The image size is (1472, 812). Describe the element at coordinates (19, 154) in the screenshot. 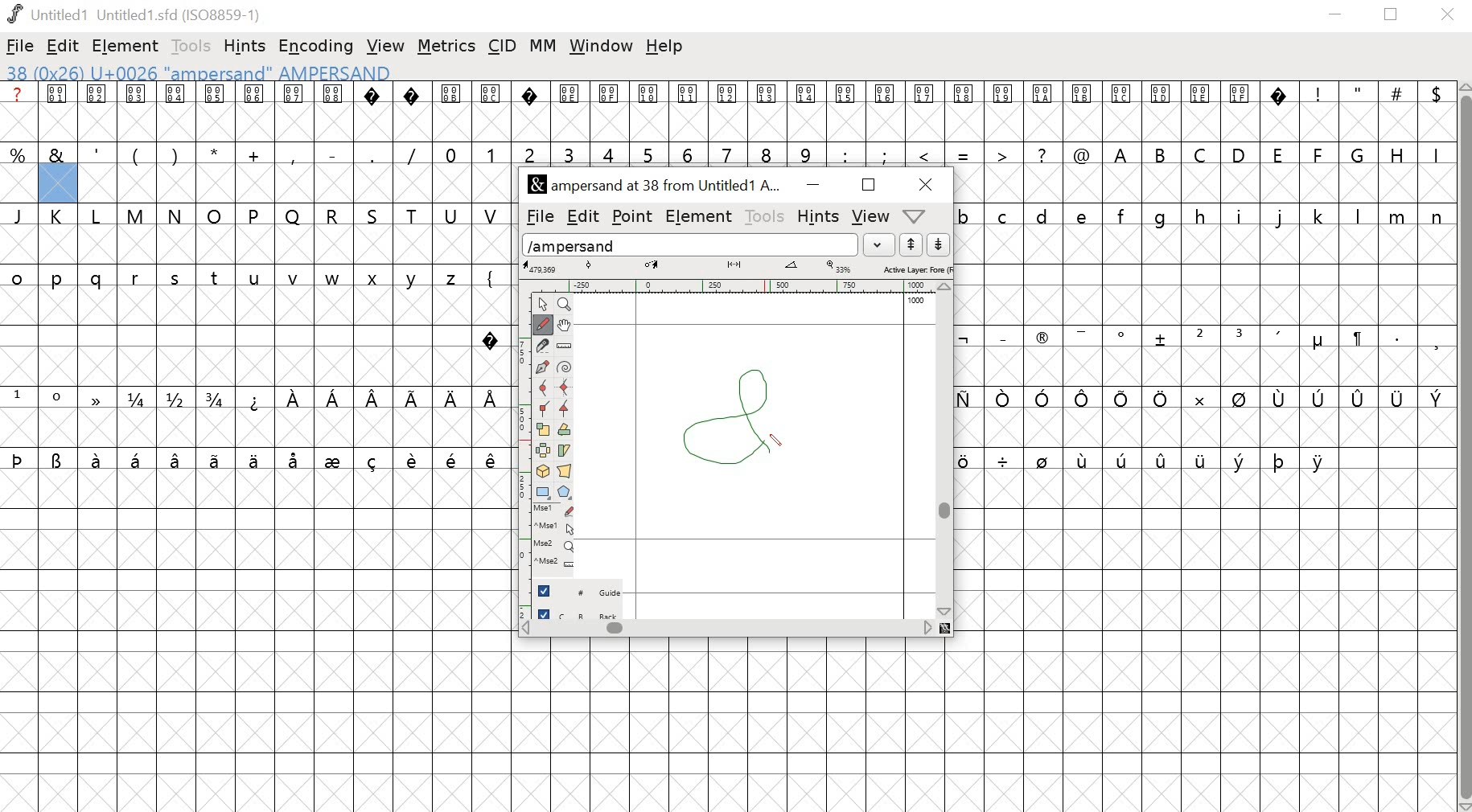

I see `%` at that location.